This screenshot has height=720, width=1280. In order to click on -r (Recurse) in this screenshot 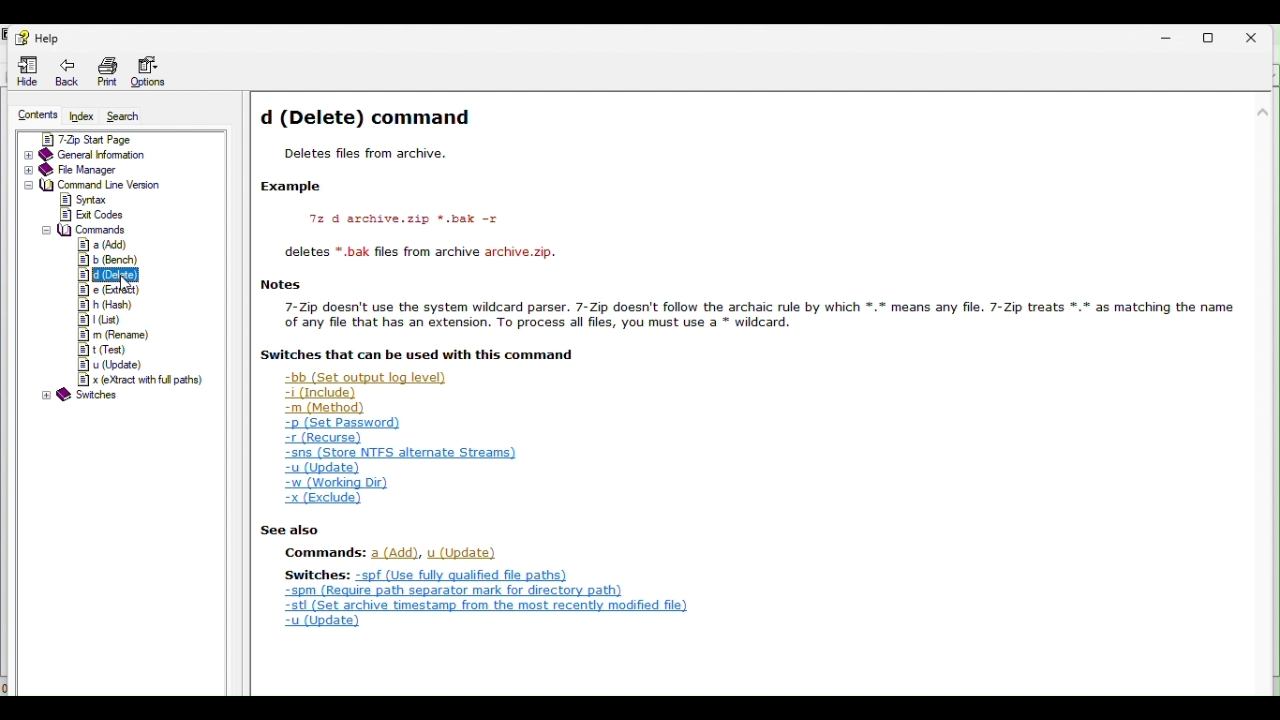, I will do `click(325, 437)`.